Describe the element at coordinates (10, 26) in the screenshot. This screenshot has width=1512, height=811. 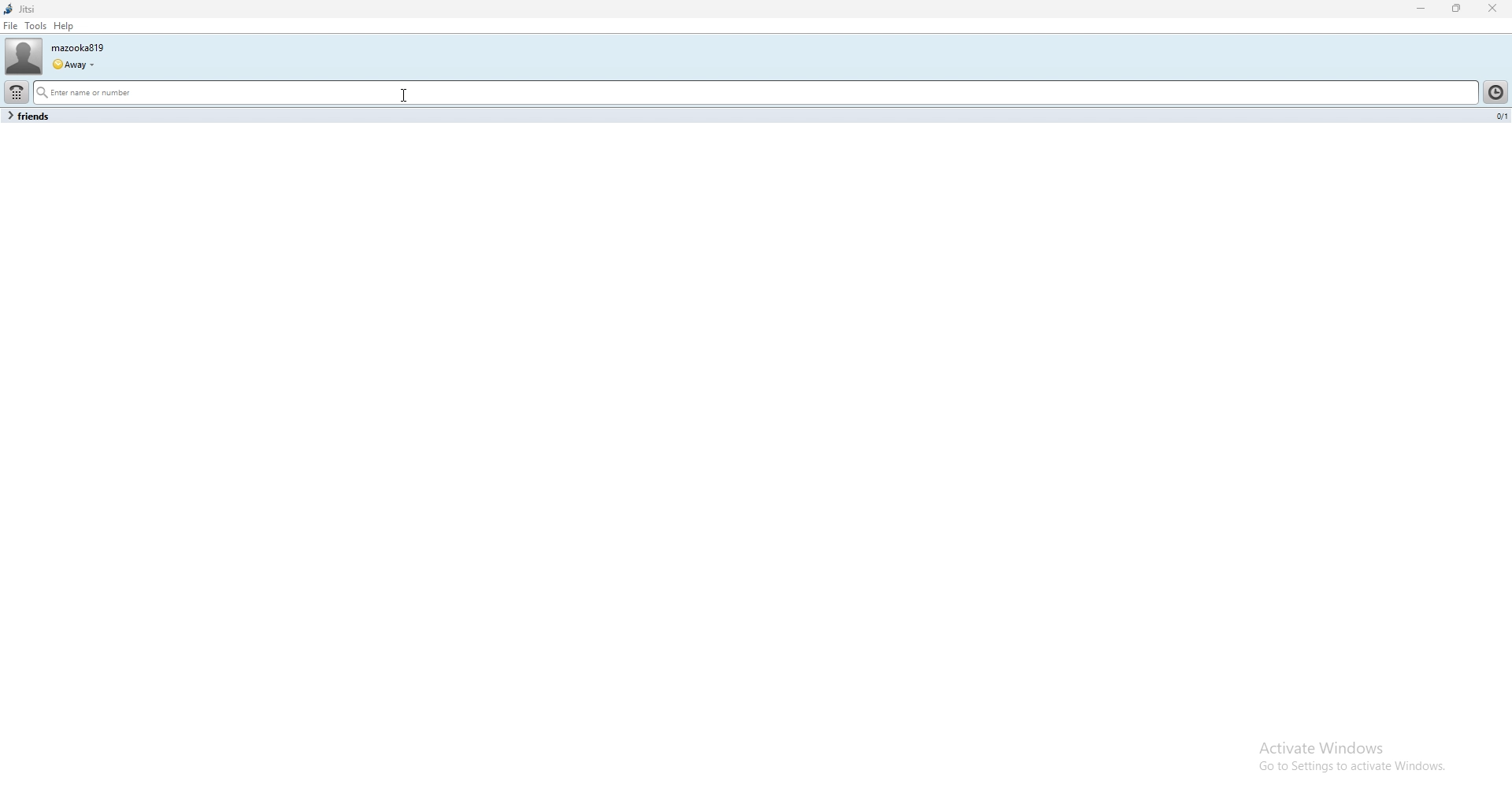
I see `file` at that location.